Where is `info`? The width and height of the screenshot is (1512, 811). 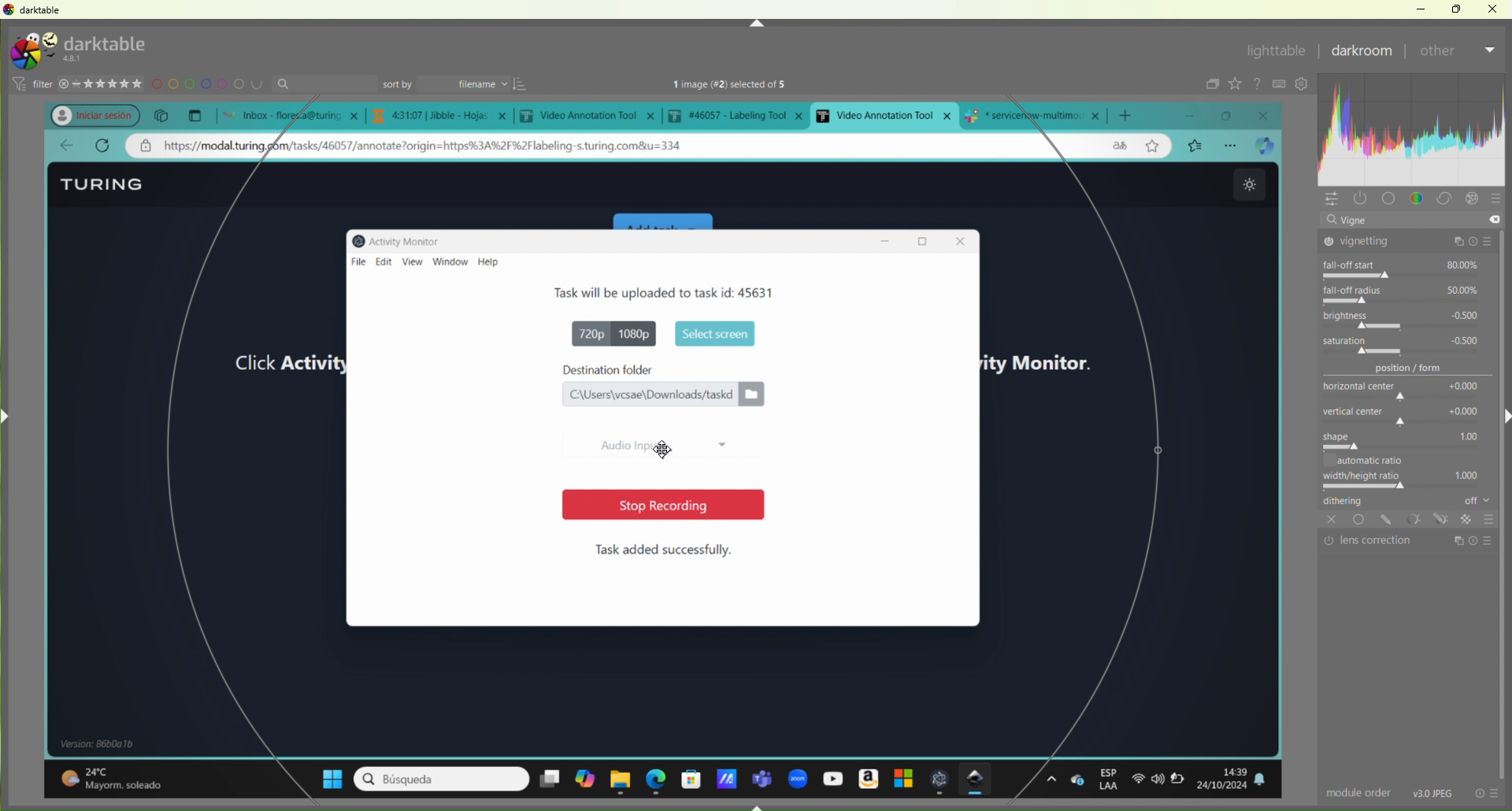
info is located at coordinates (1488, 792).